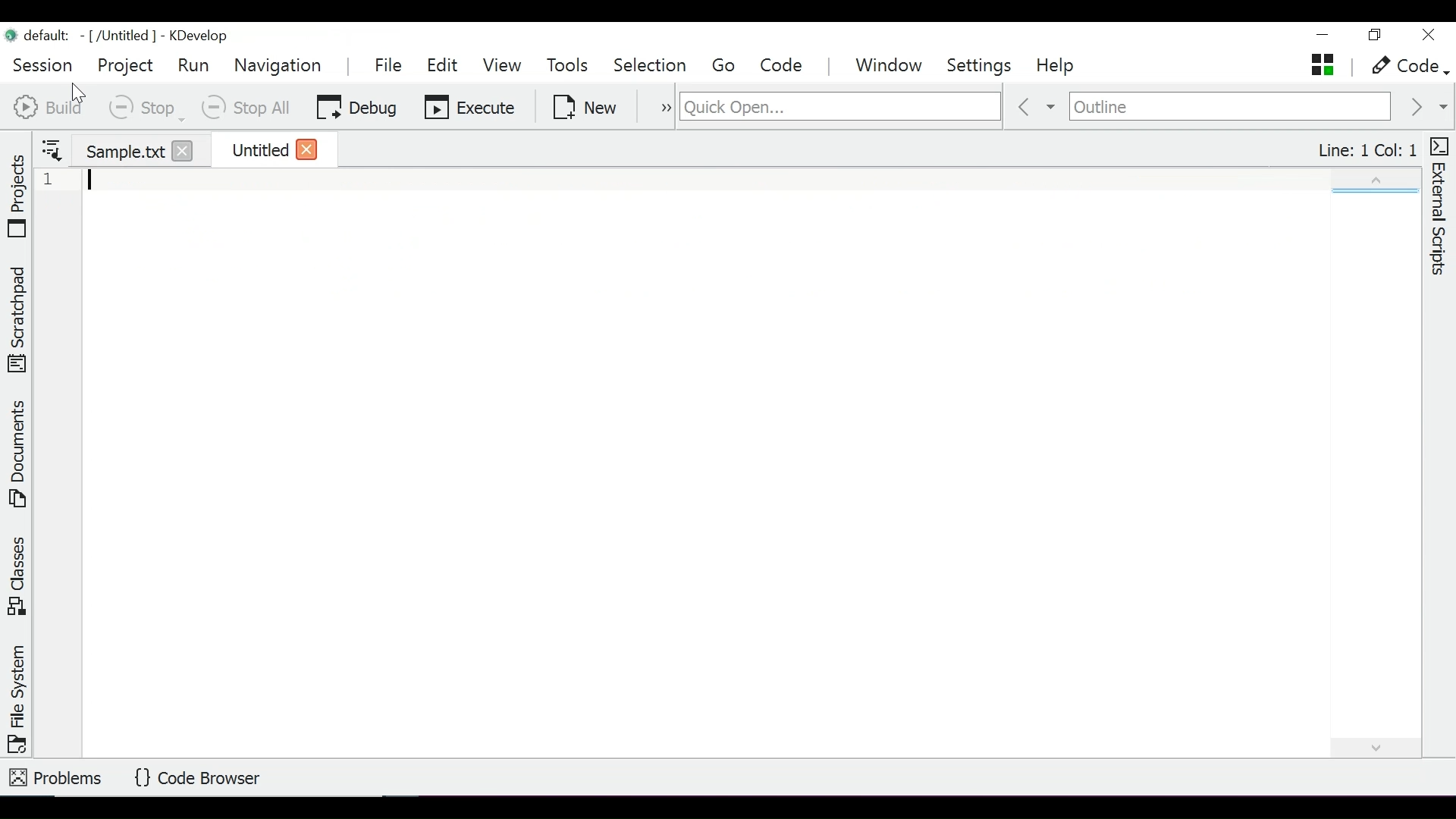  I want to click on Code, so click(1403, 64).